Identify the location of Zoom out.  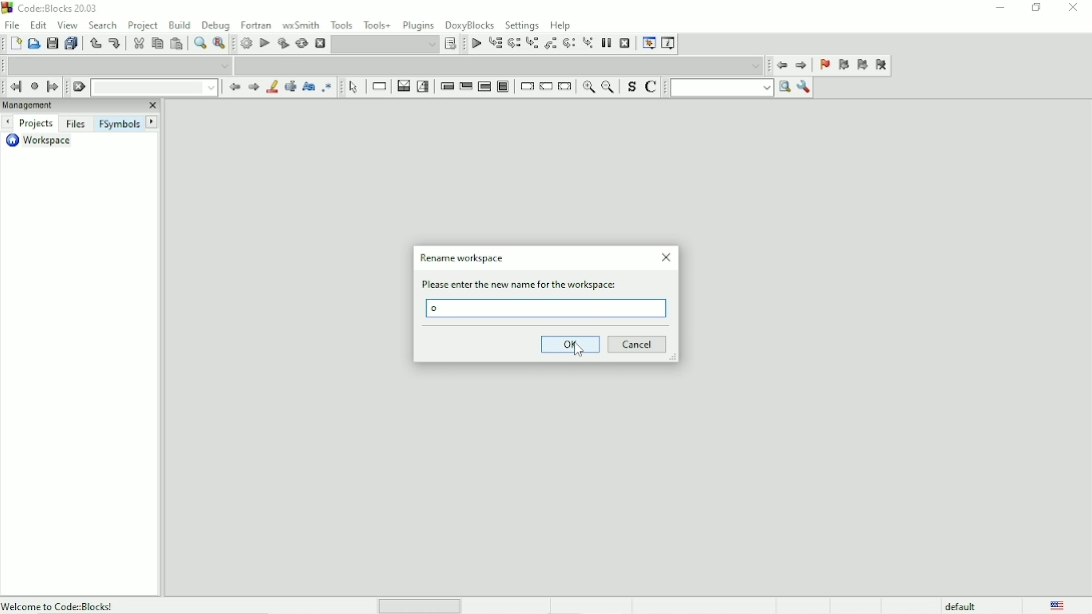
(609, 88).